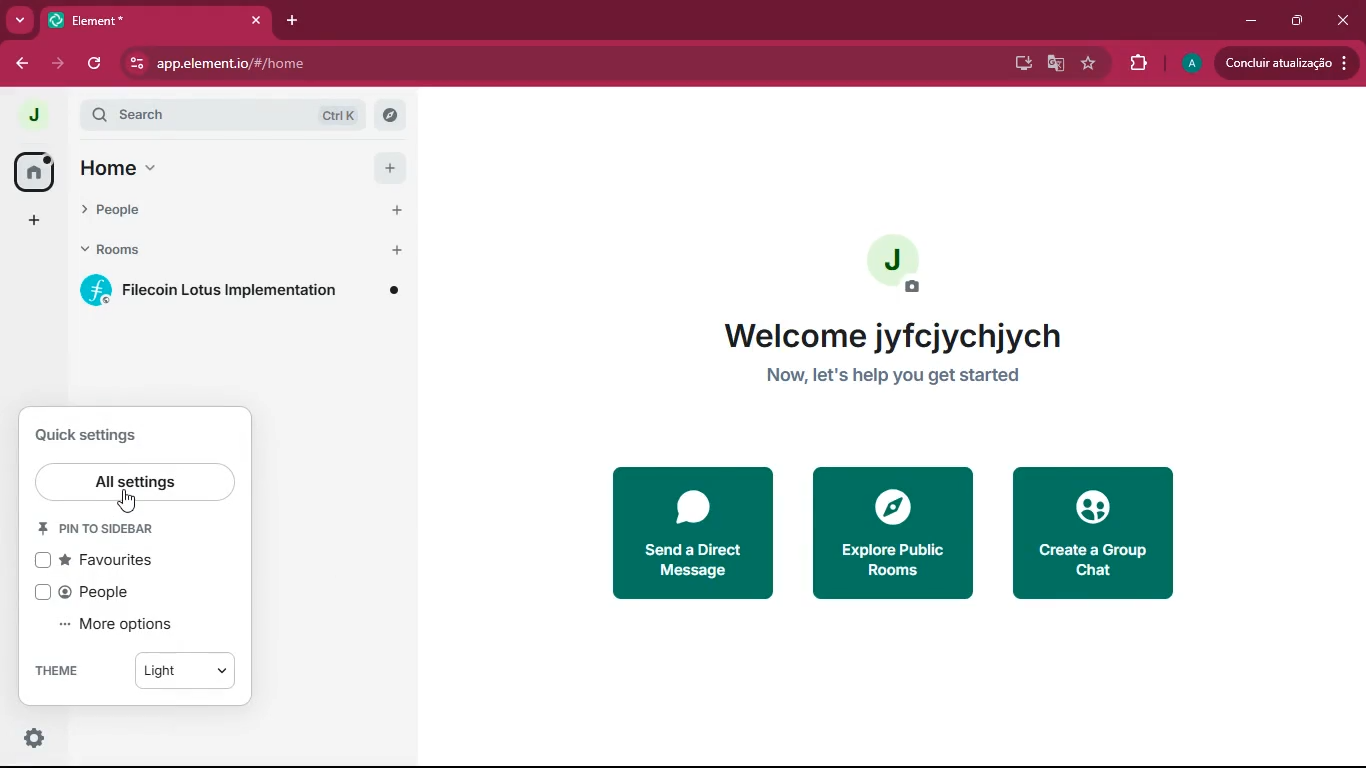 Image resolution: width=1366 pixels, height=768 pixels. What do you see at coordinates (245, 290) in the screenshot?
I see `room` at bounding box center [245, 290].